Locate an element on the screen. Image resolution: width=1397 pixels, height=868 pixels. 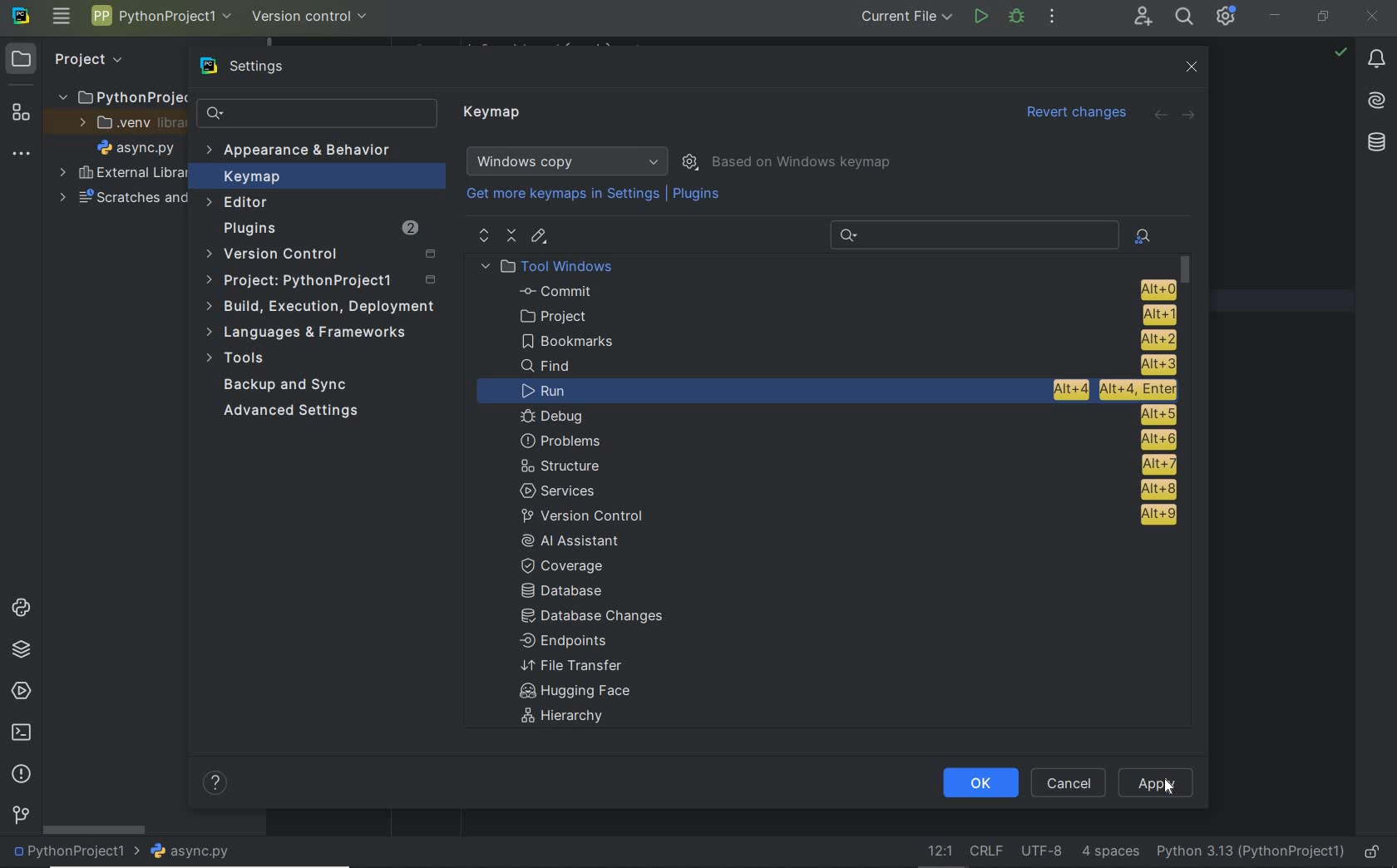
version control is located at coordinates (843, 515).